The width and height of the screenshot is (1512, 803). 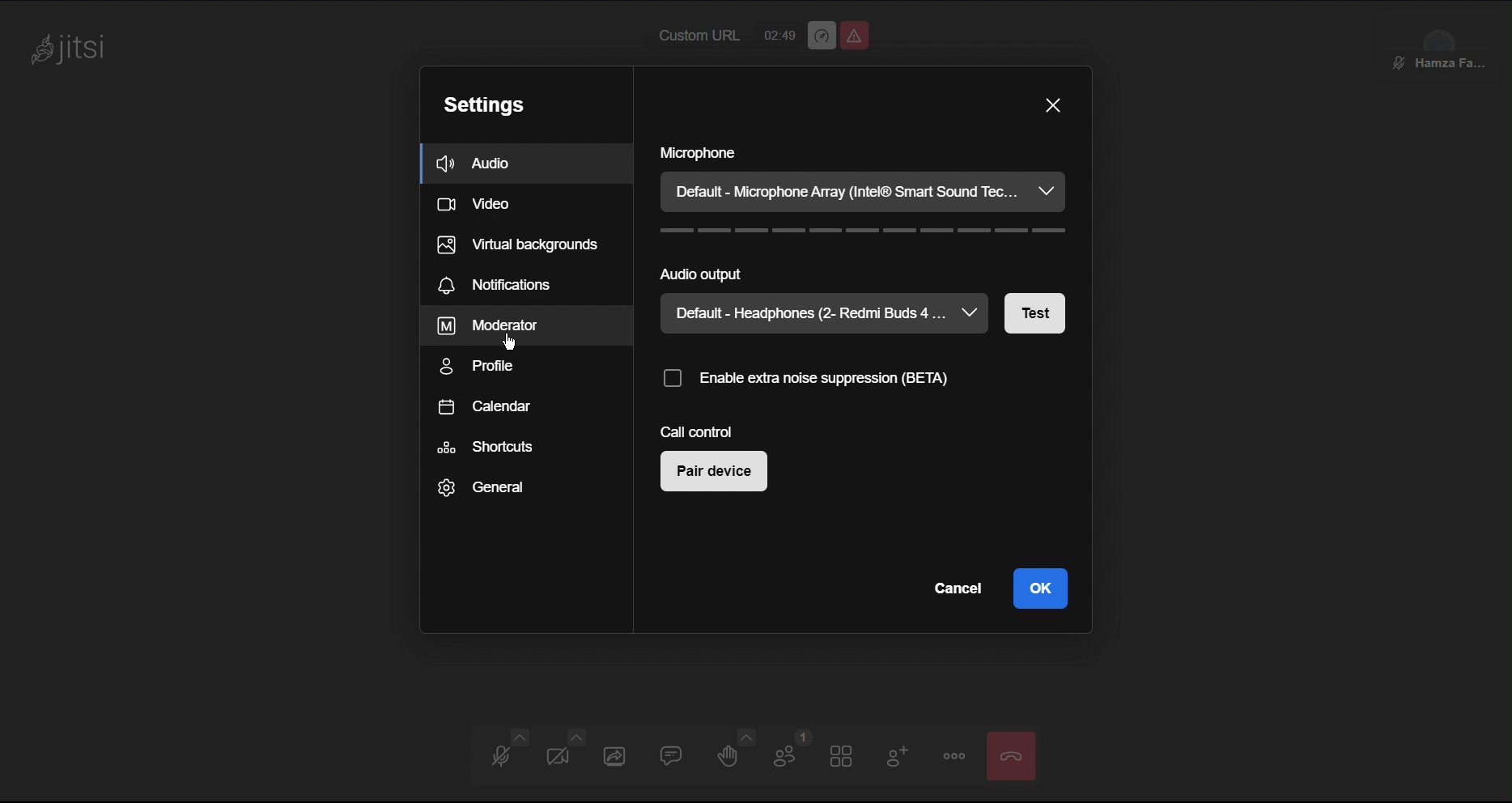 What do you see at coordinates (75, 49) in the screenshot?
I see `Jitsi` at bounding box center [75, 49].